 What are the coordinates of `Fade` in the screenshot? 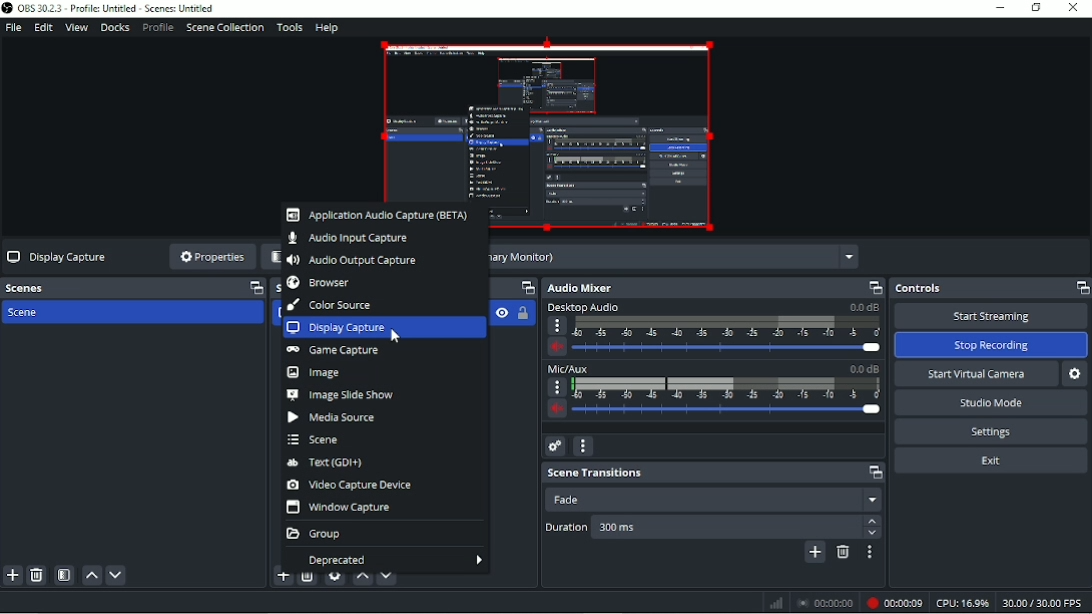 It's located at (712, 499).